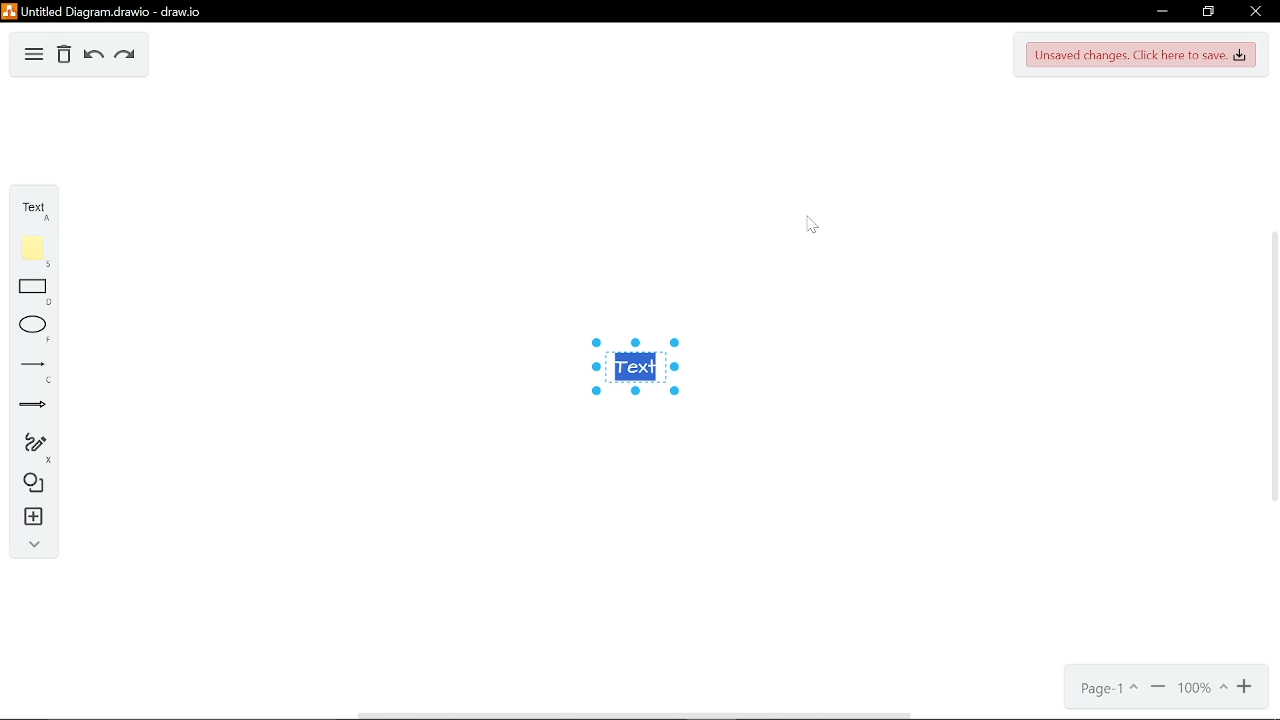 This screenshot has width=1280, height=720. I want to click on Minimize, so click(1162, 11).